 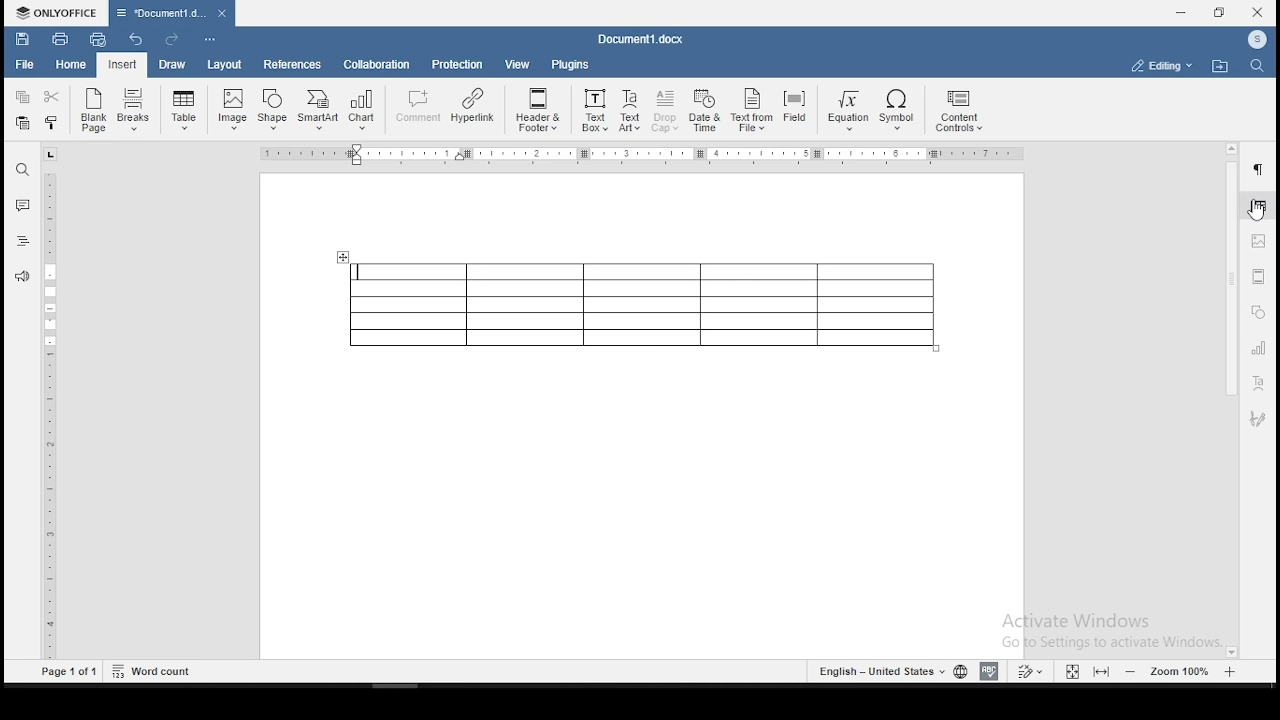 What do you see at coordinates (291, 65) in the screenshot?
I see `references` at bounding box center [291, 65].